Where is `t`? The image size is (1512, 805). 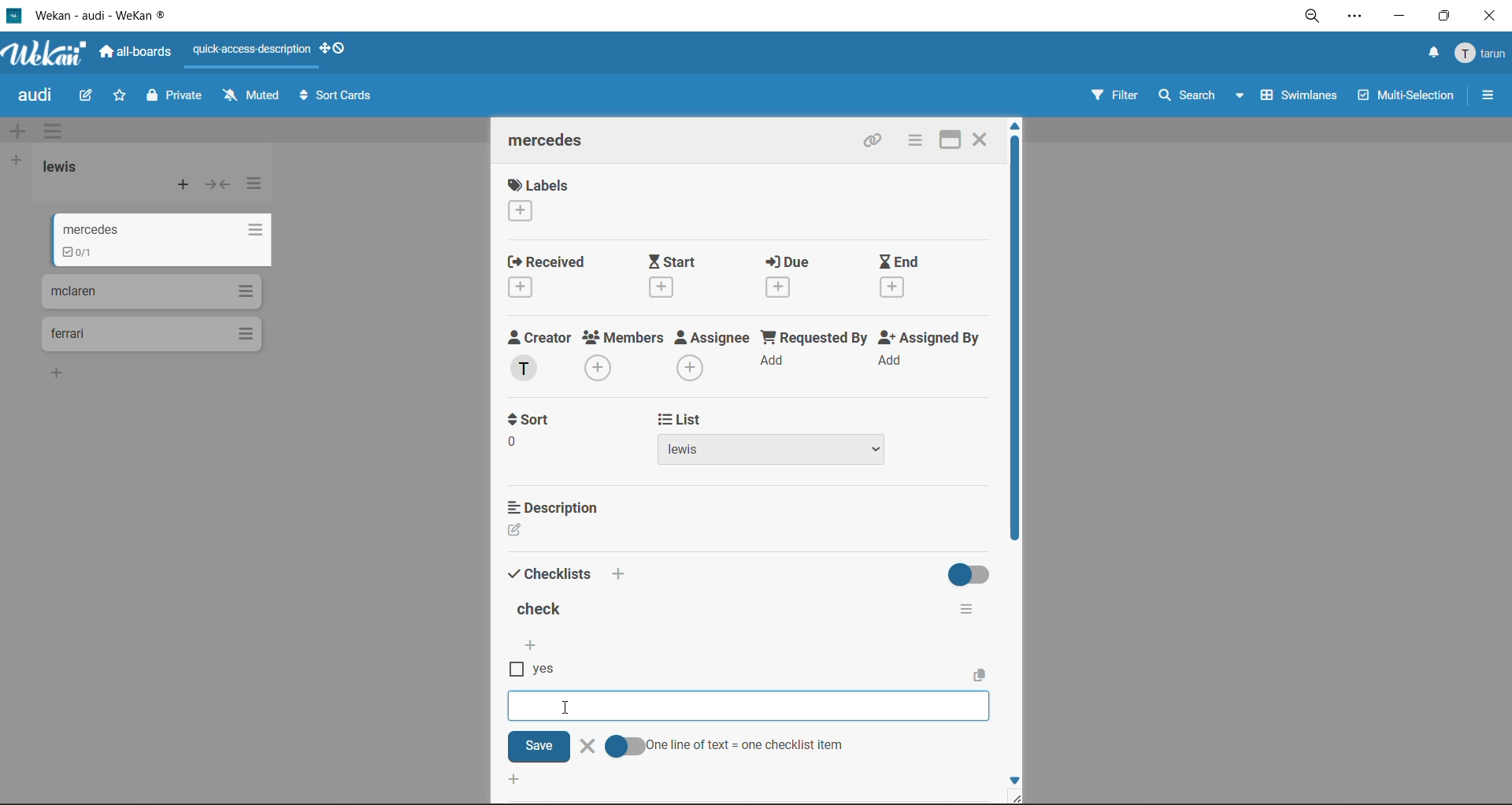 t is located at coordinates (529, 420).